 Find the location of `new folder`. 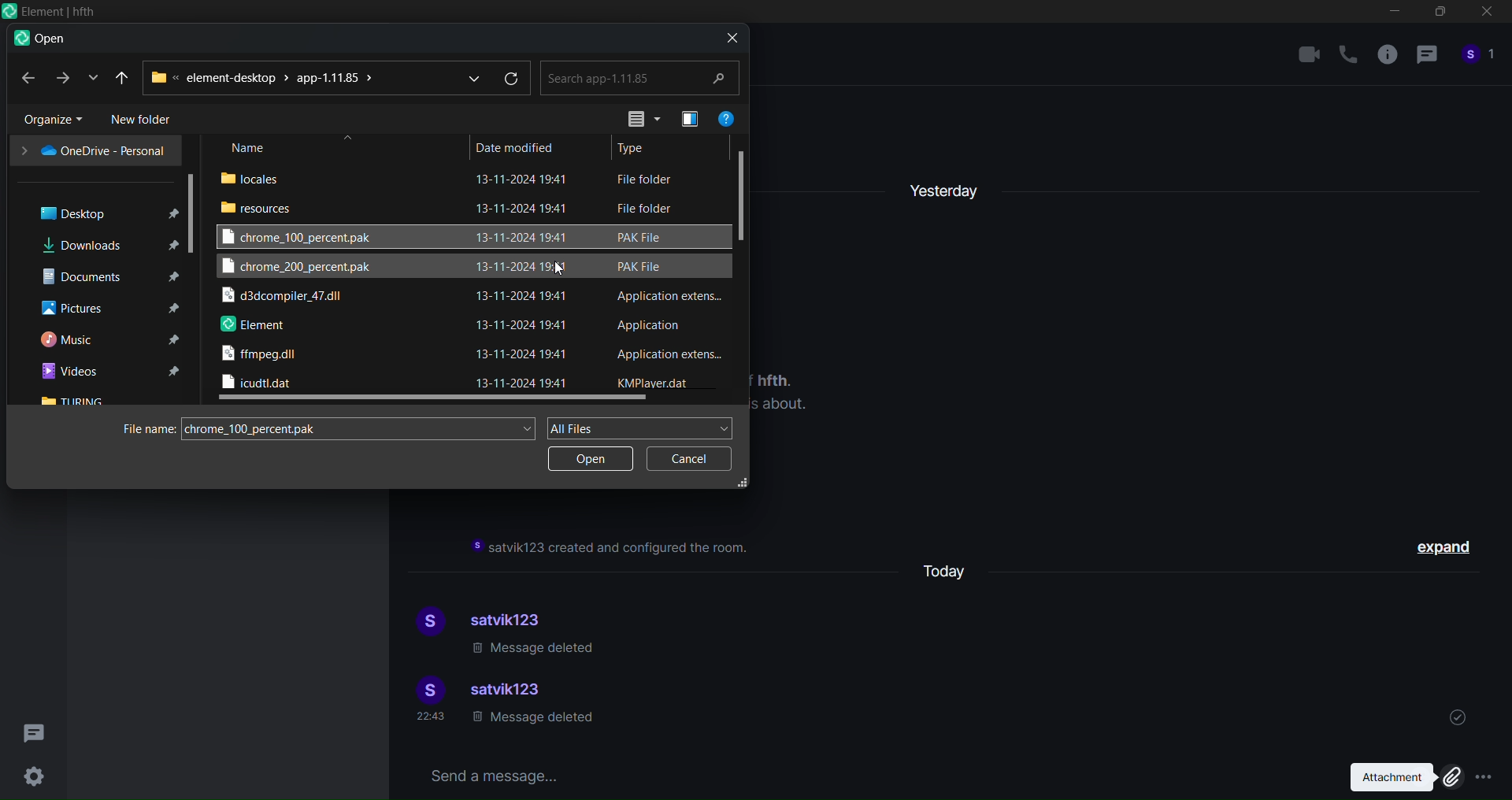

new folder is located at coordinates (146, 120).